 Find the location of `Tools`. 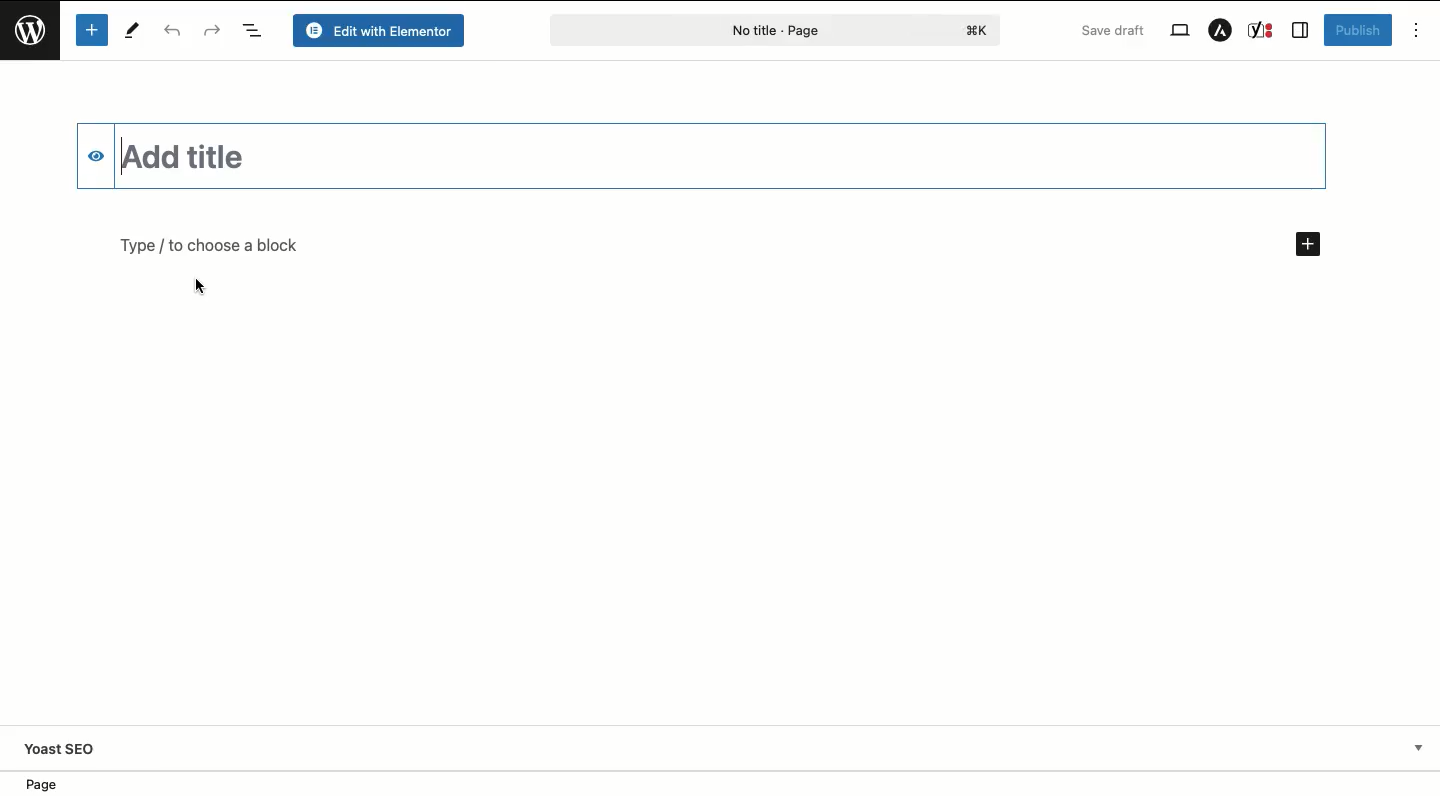

Tools is located at coordinates (130, 30).